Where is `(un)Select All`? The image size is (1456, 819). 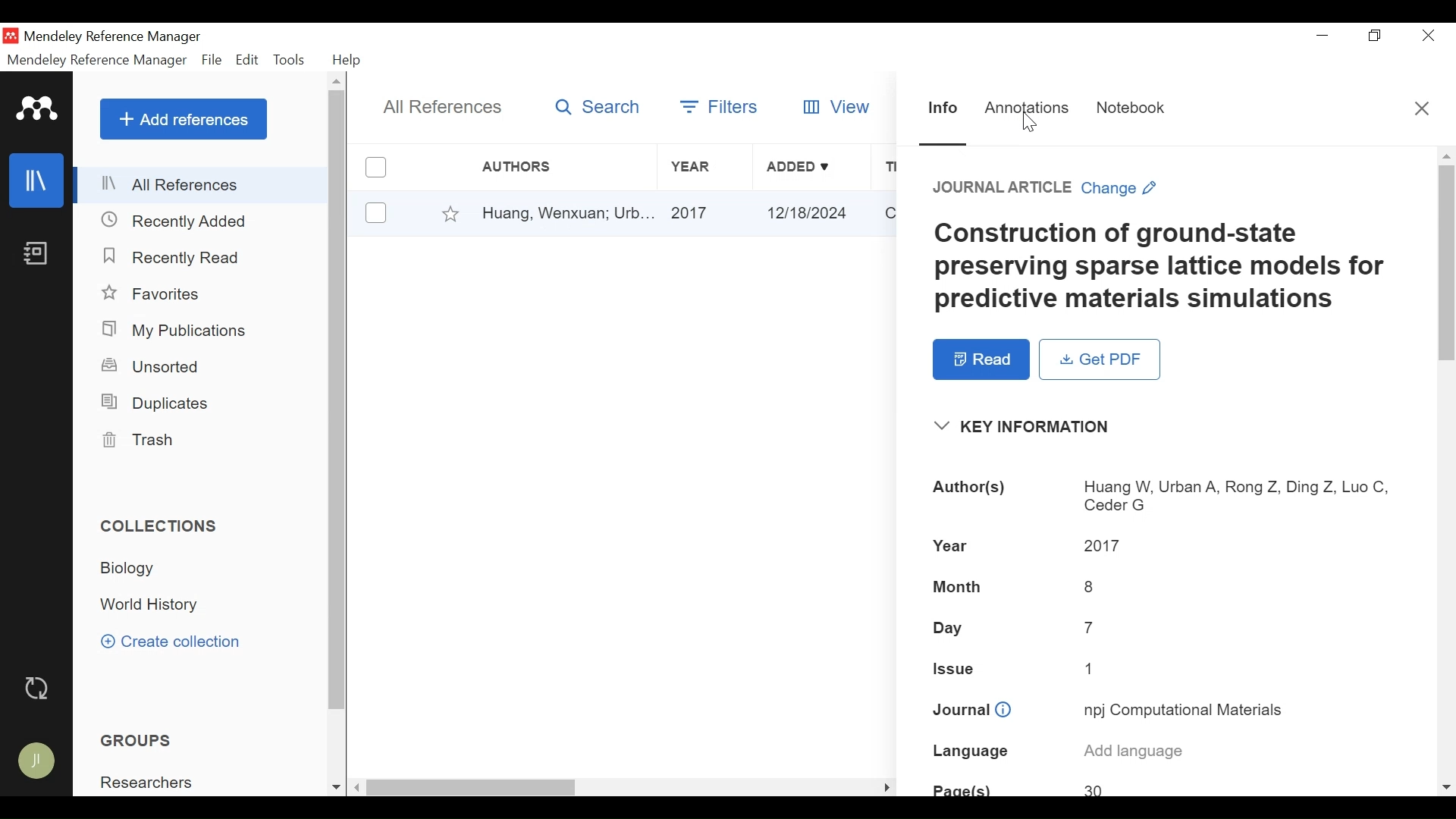 (un)Select All is located at coordinates (375, 168).